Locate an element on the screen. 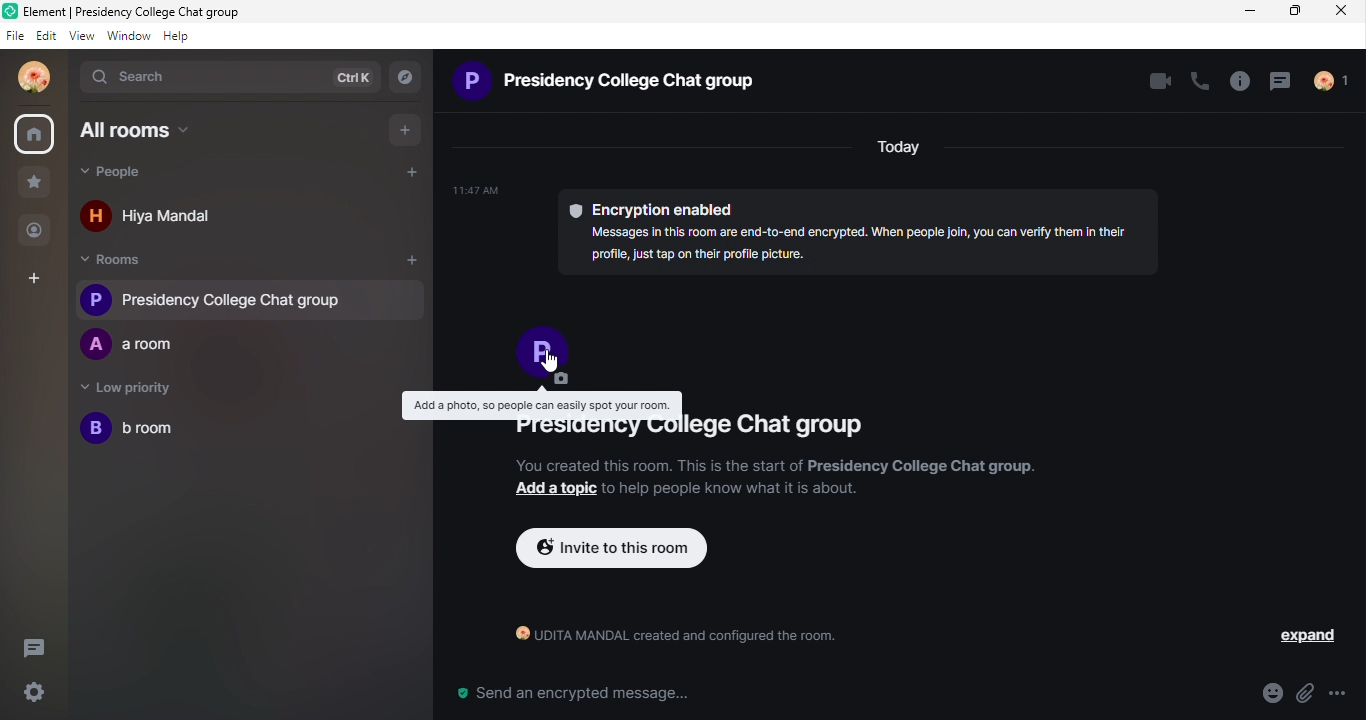 The width and height of the screenshot is (1366, 720). presidency college chat group is located at coordinates (682, 434).